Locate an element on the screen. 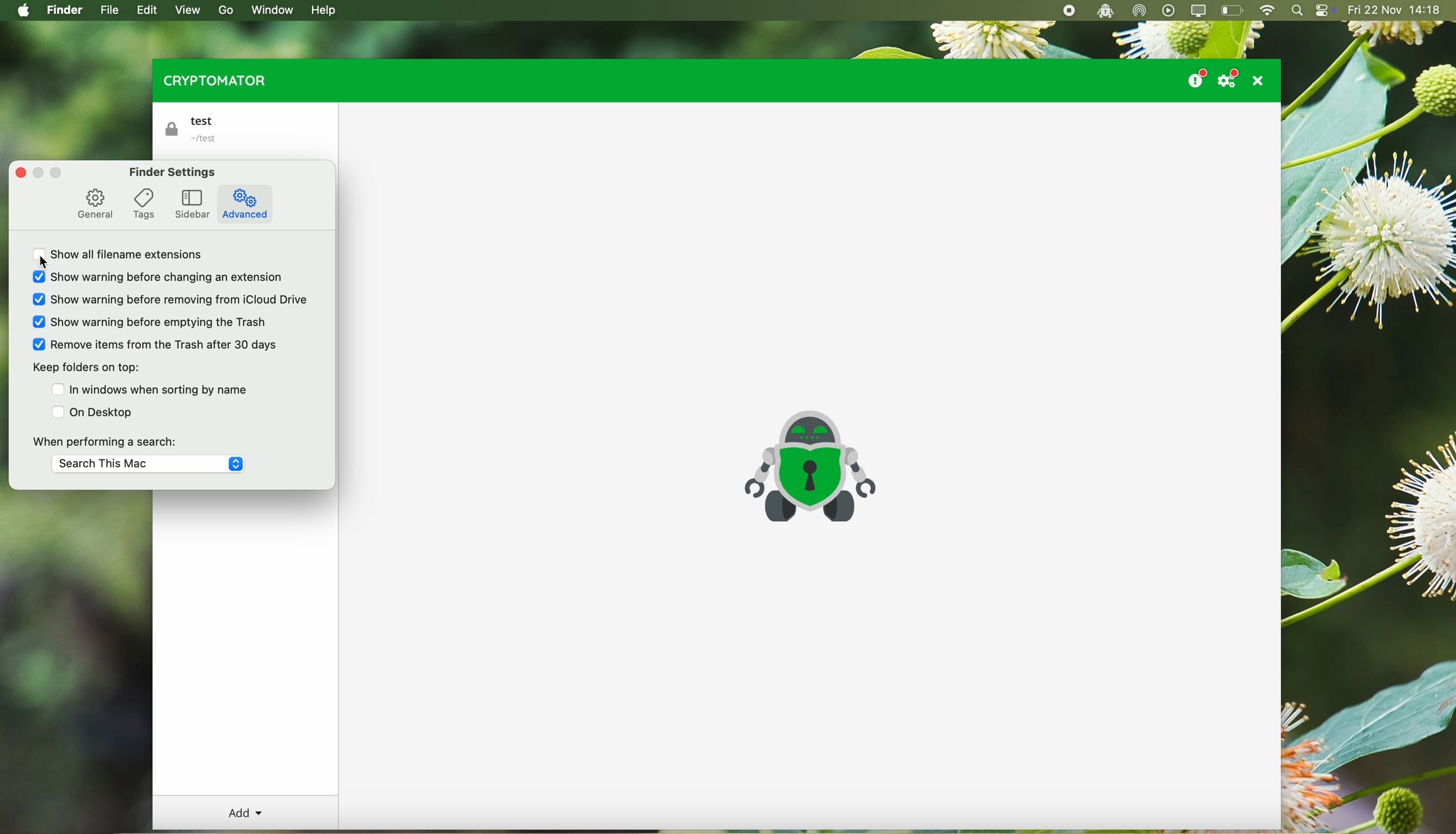 Image resolution: width=1456 pixels, height=834 pixels. Show warning before removing from iCloud Drive is located at coordinates (170, 300).